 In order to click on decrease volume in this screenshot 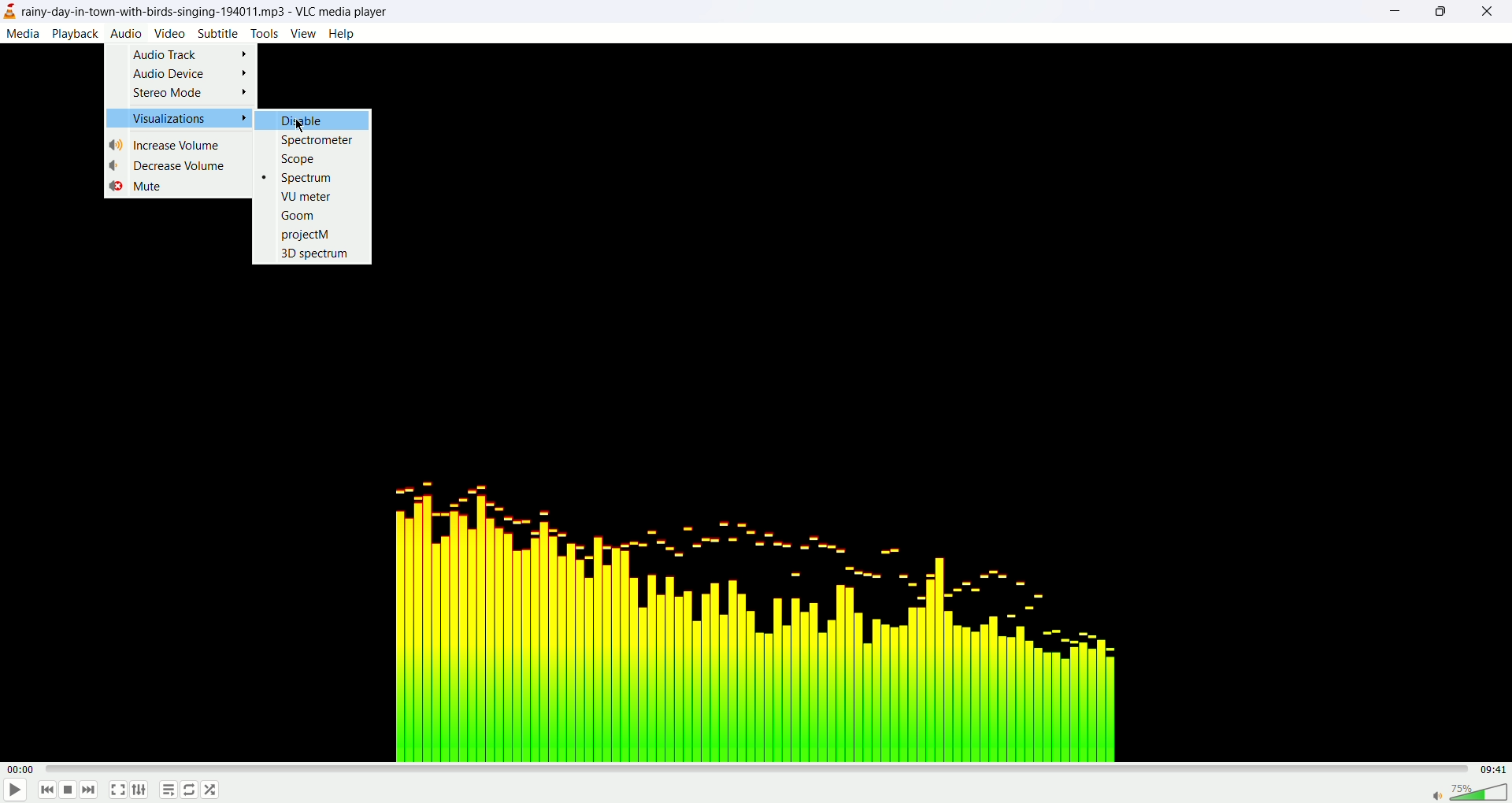, I will do `click(179, 165)`.